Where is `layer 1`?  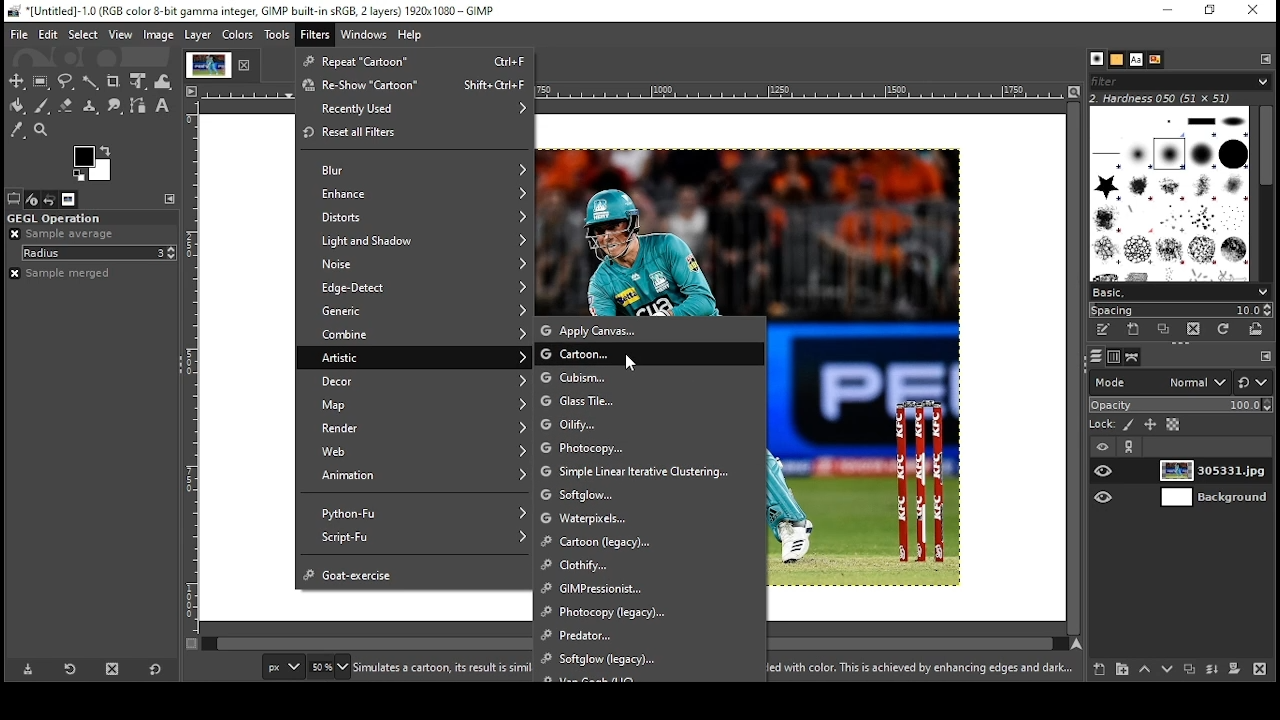
layer 1 is located at coordinates (1217, 473).